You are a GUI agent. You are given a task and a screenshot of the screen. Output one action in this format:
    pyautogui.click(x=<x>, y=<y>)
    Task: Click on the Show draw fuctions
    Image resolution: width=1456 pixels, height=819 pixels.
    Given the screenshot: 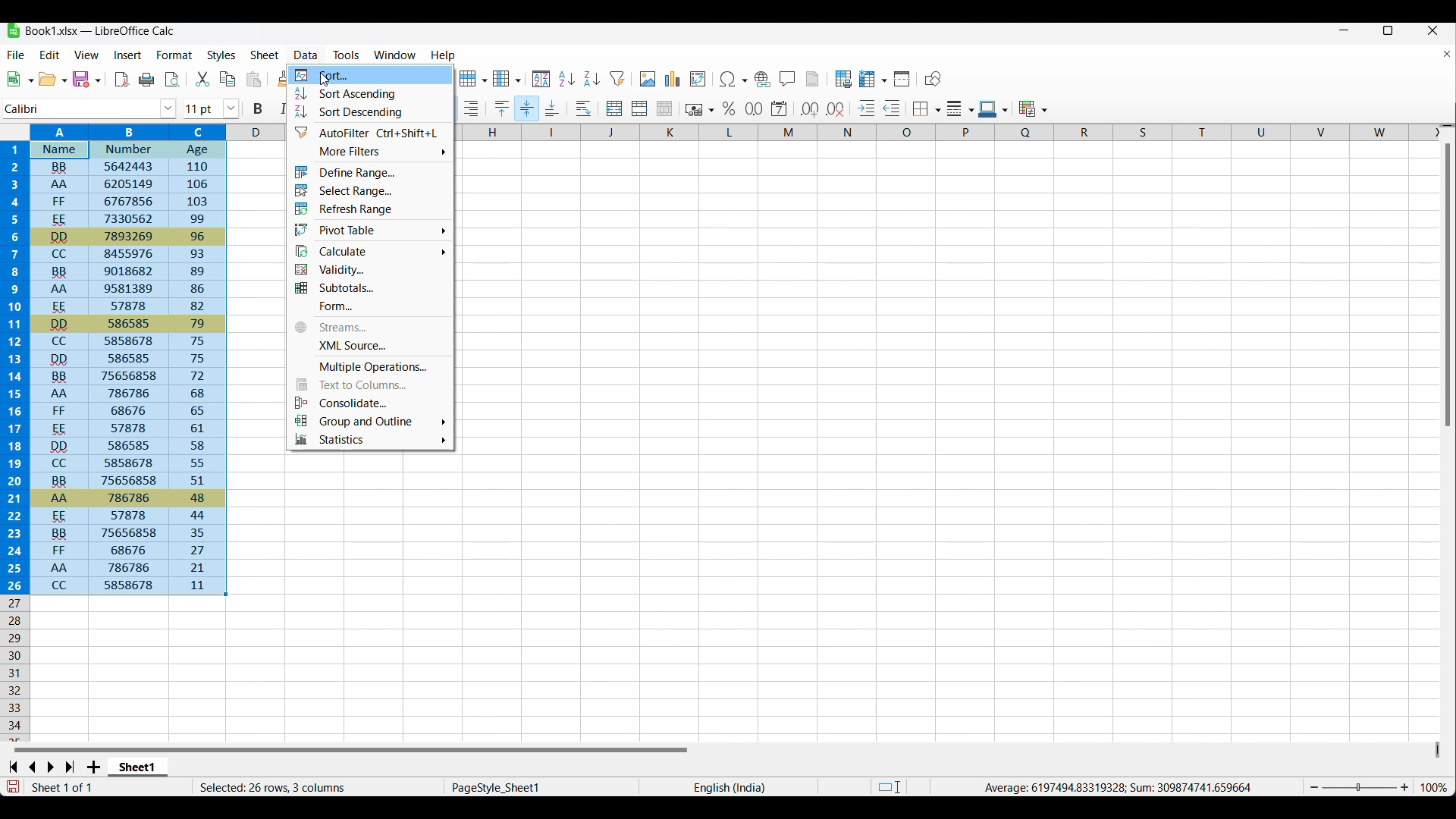 What is the action you would take?
    pyautogui.click(x=934, y=78)
    